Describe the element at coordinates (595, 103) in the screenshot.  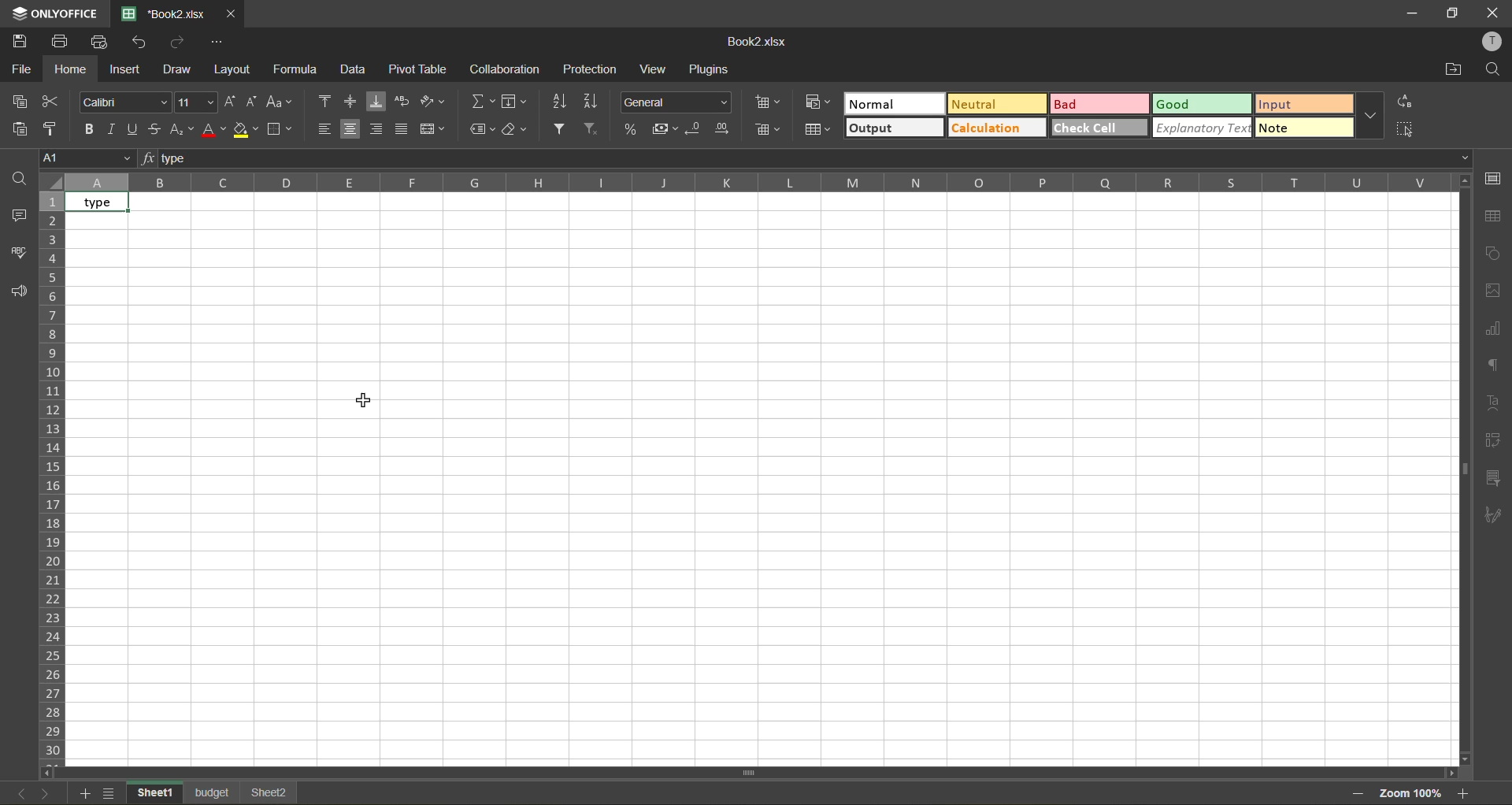
I see `sort descending` at that location.